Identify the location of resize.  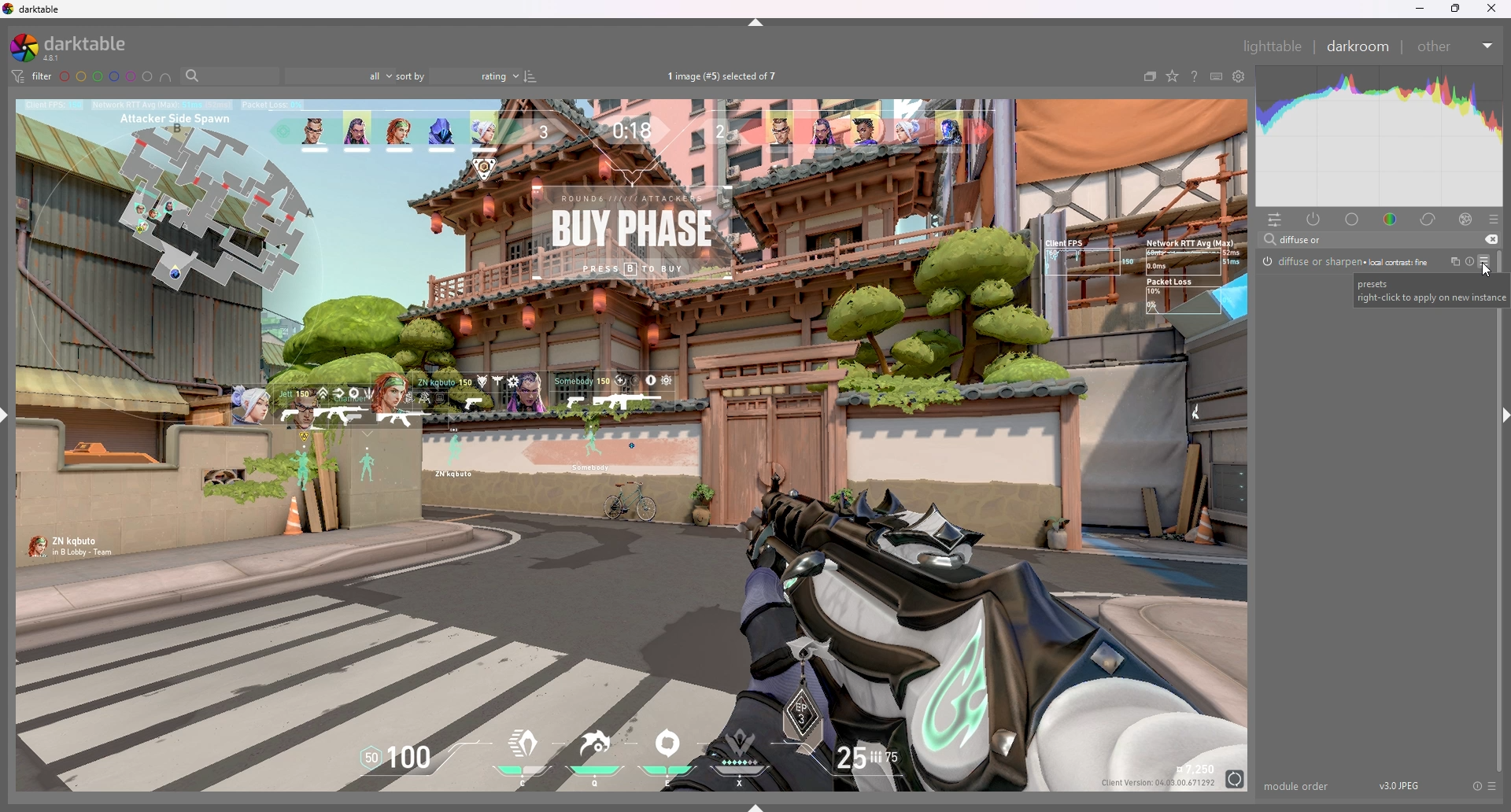
(1456, 8).